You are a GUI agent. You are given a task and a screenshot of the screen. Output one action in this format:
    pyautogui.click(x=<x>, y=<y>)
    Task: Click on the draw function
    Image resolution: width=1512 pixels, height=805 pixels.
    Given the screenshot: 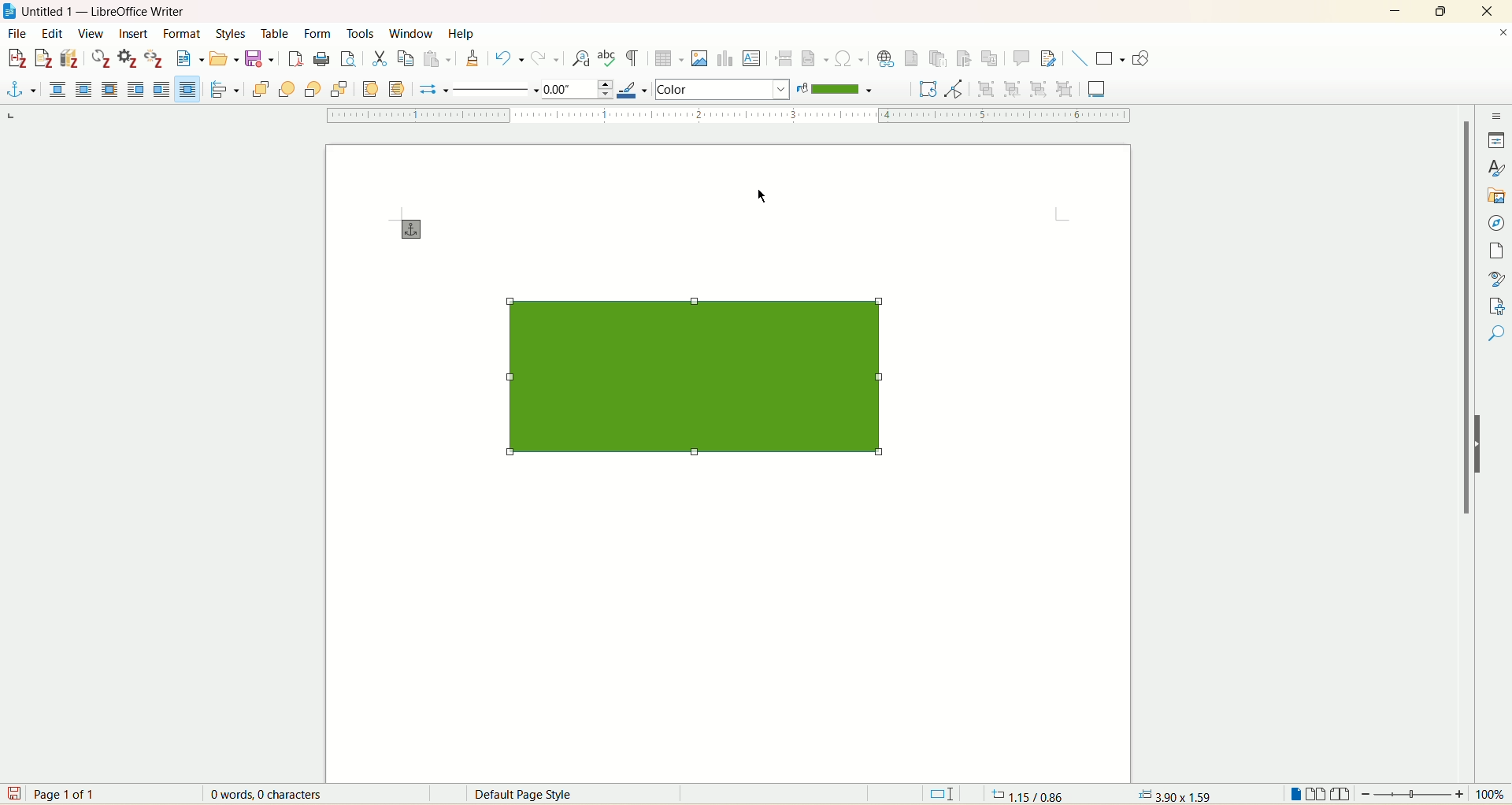 What is the action you would take?
    pyautogui.click(x=1141, y=61)
    